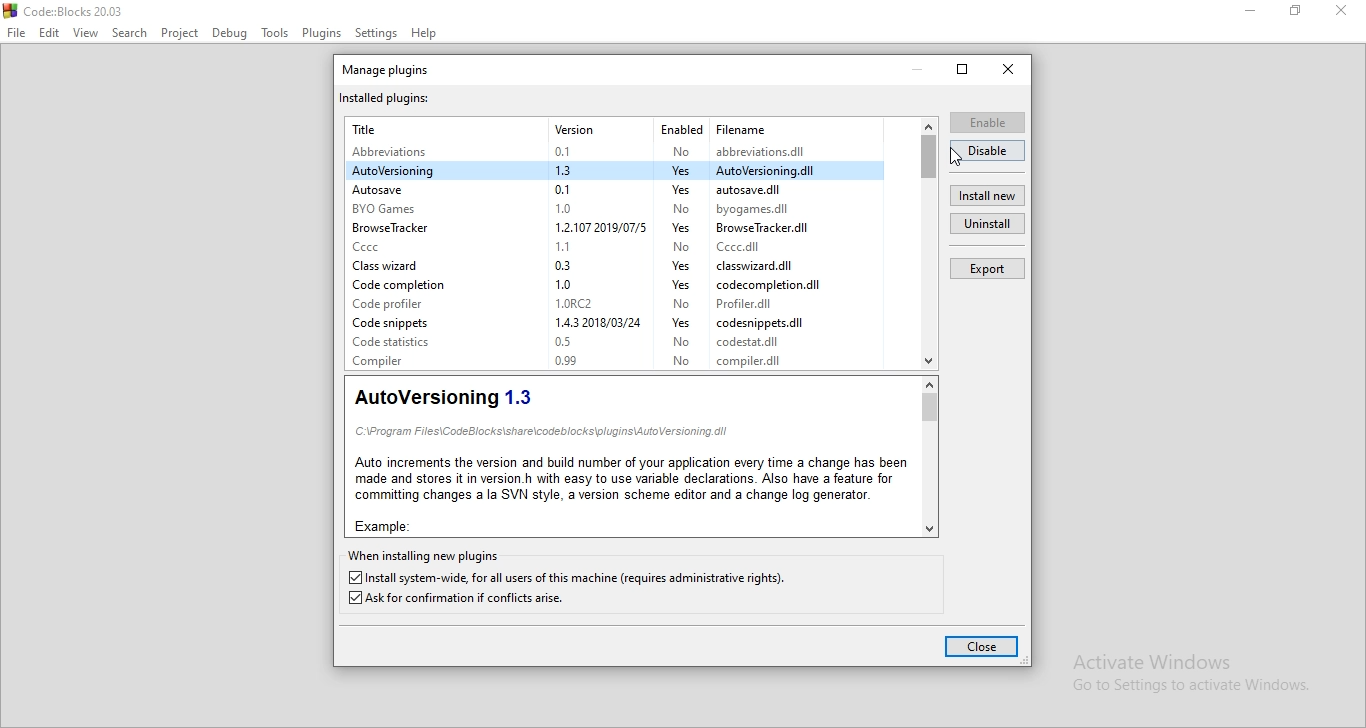 Image resolution: width=1366 pixels, height=728 pixels. Describe the element at coordinates (680, 361) in the screenshot. I see `No` at that location.